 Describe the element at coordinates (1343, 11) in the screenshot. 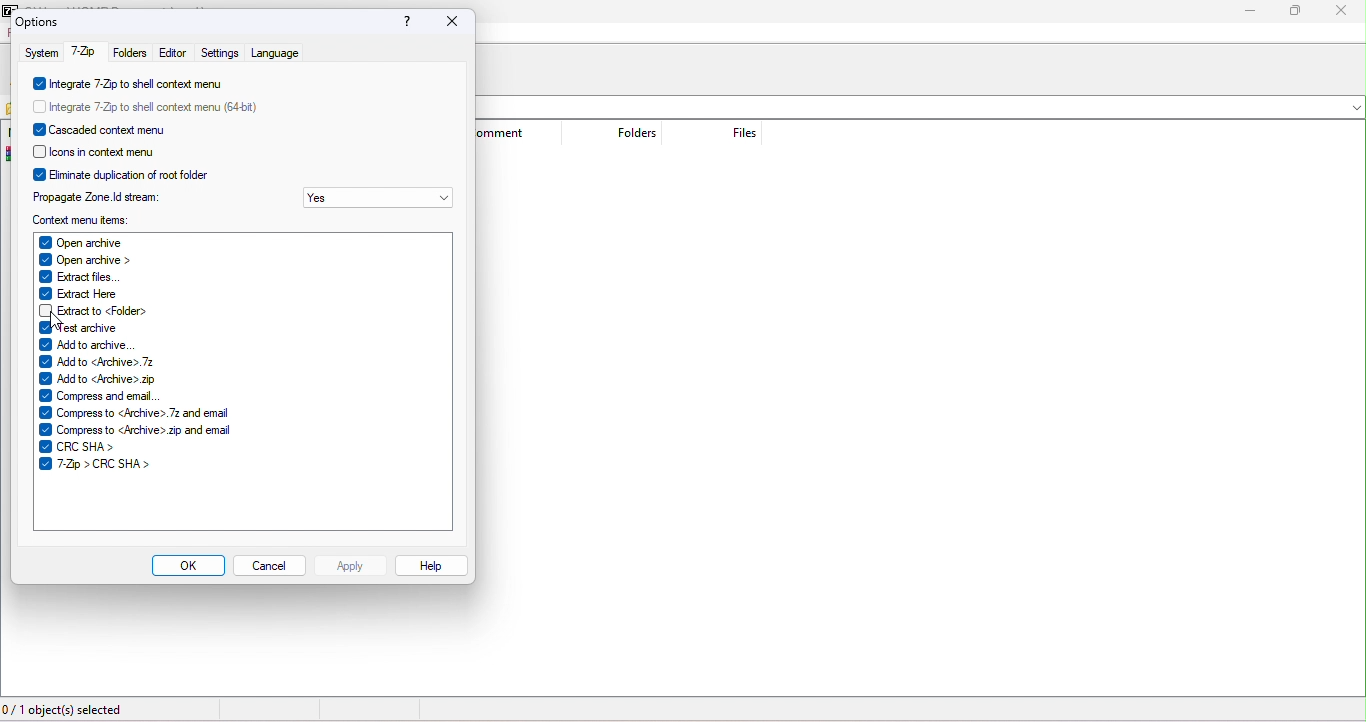

I see `close` at that location.